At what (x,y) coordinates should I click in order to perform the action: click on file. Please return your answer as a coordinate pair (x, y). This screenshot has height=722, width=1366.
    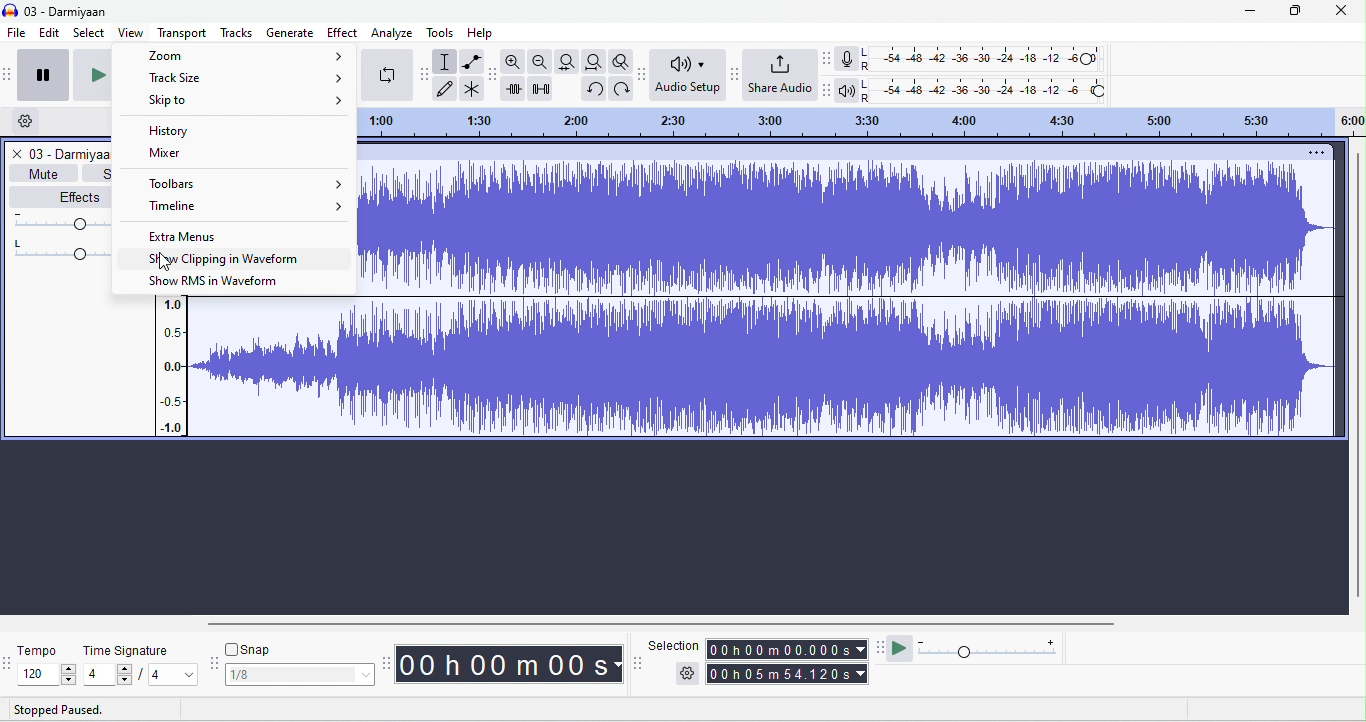
    Looking at the image, I should click on (15, 35).